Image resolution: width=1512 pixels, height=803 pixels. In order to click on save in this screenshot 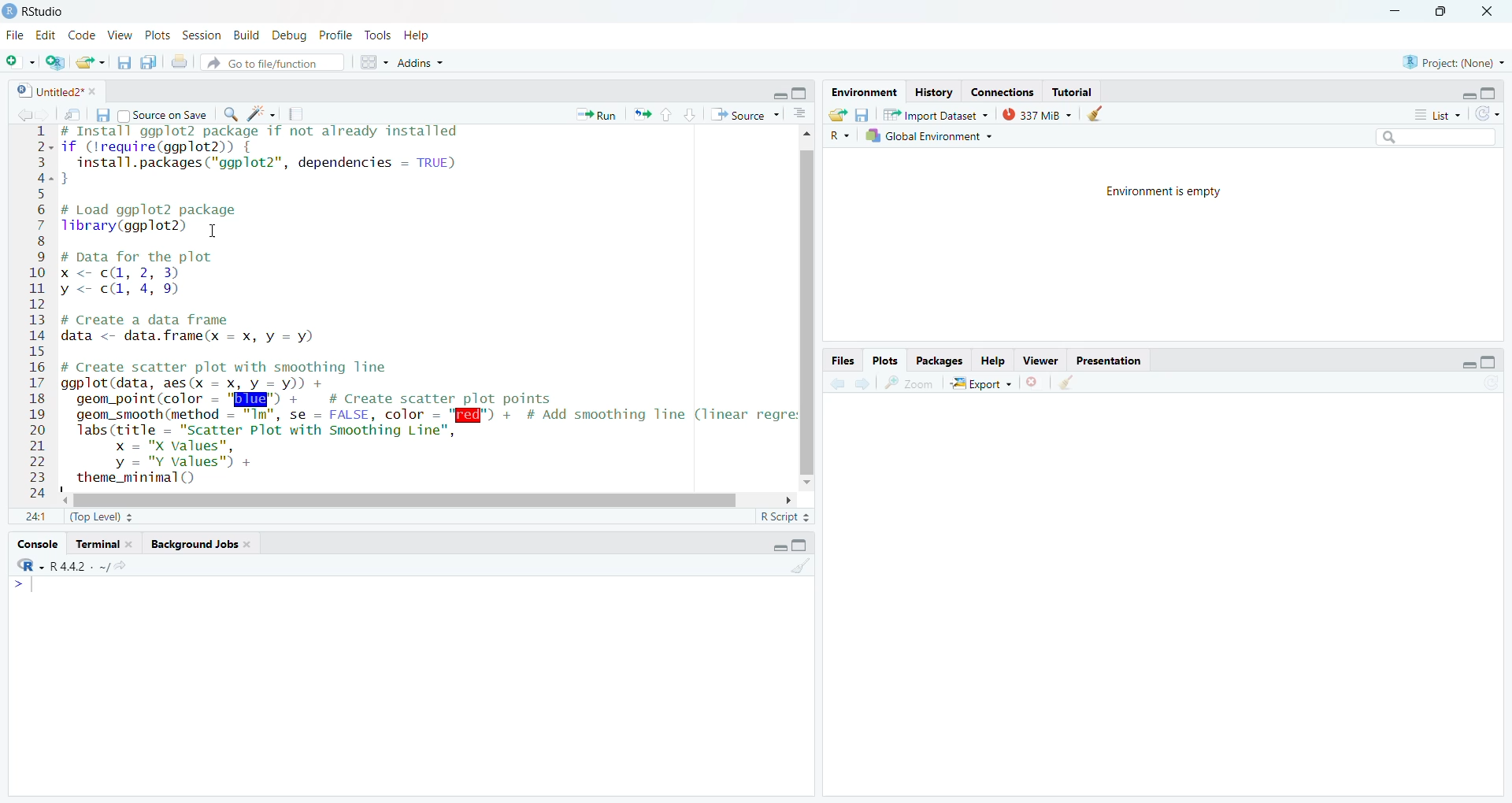, I will do `click(862, 114)`.